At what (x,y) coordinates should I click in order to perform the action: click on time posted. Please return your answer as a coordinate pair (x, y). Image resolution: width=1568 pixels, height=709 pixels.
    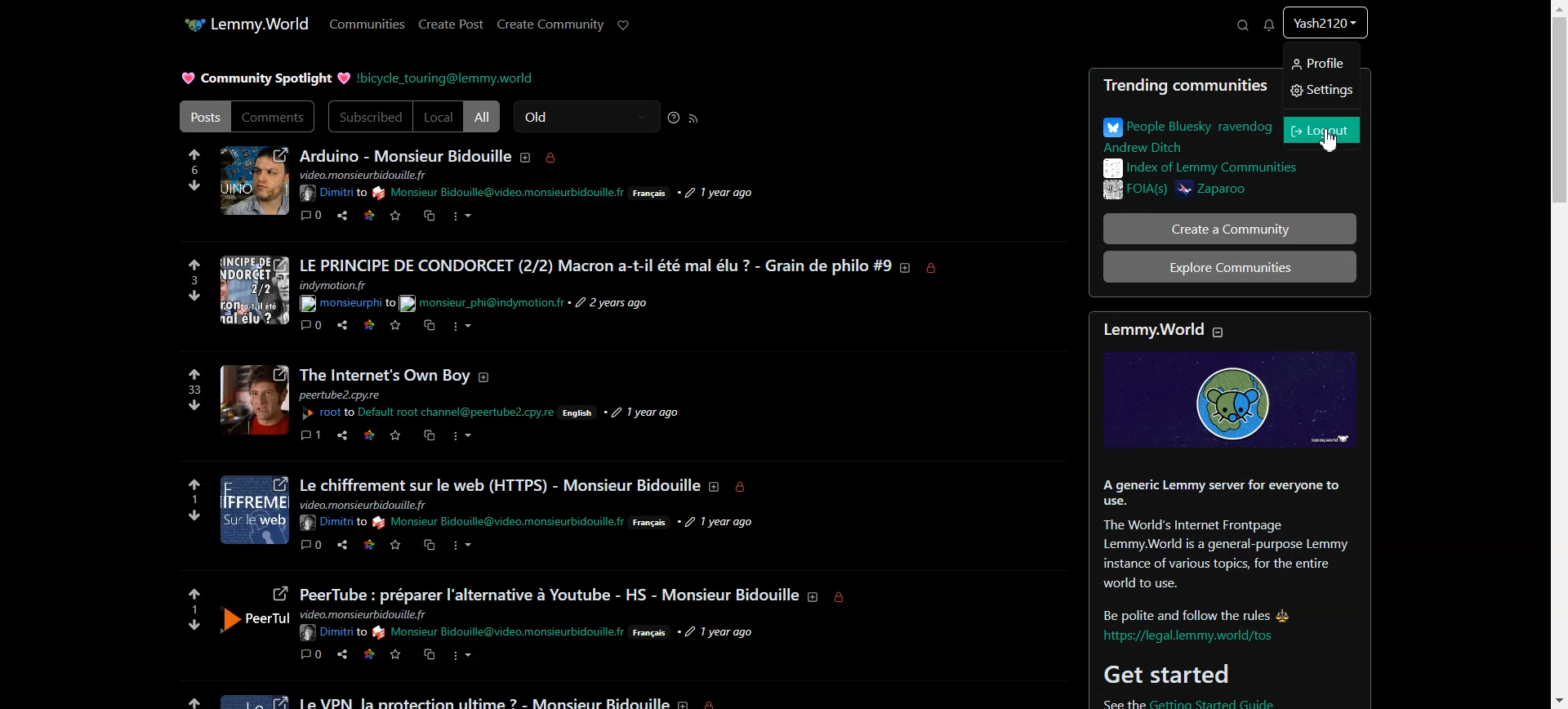
    Looking at the image, I should click on (615, 303).